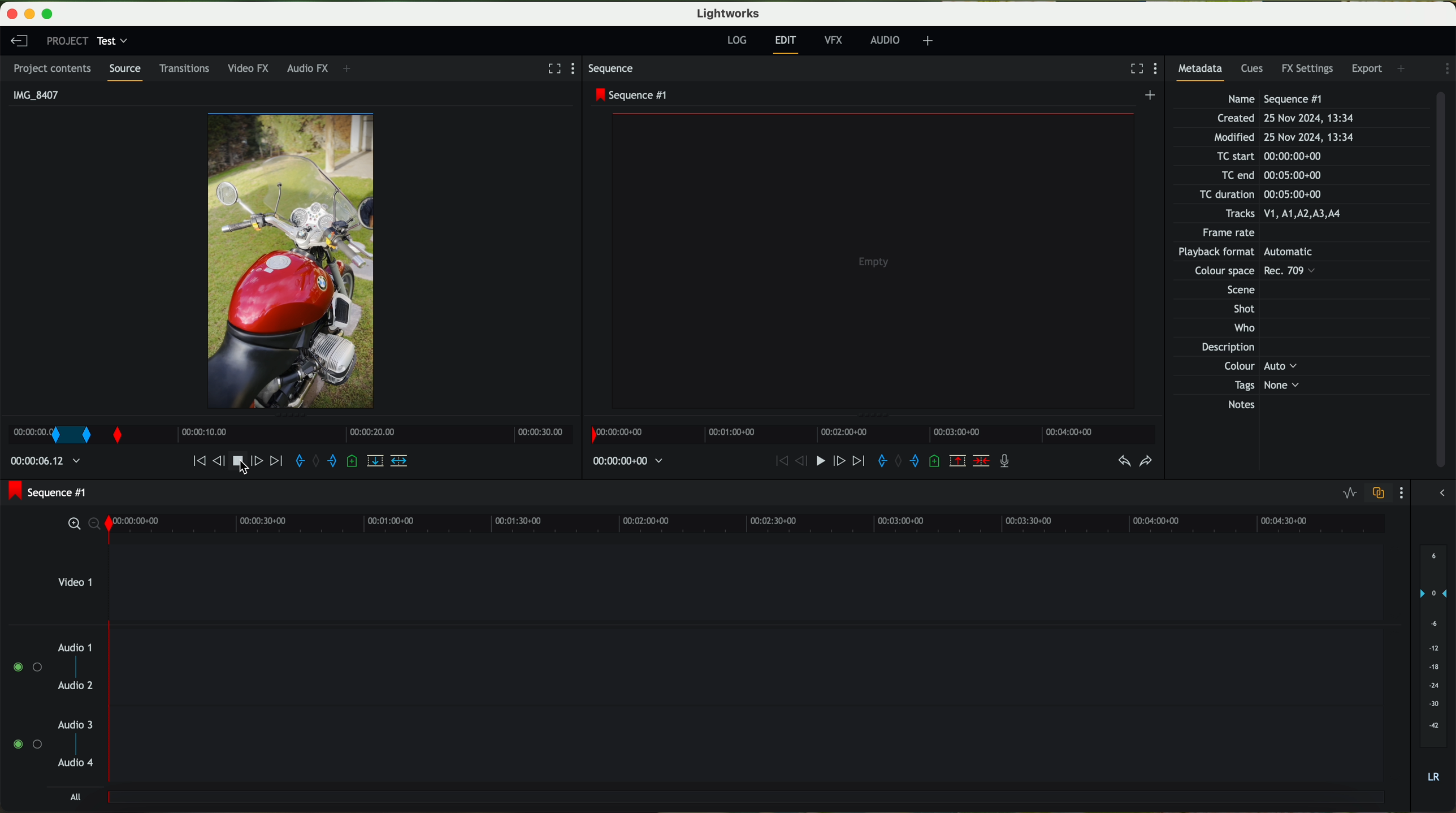 Image resolution: width=1456 pixels, height=813 pixels. I want to click on project: test, so click(86, 41).